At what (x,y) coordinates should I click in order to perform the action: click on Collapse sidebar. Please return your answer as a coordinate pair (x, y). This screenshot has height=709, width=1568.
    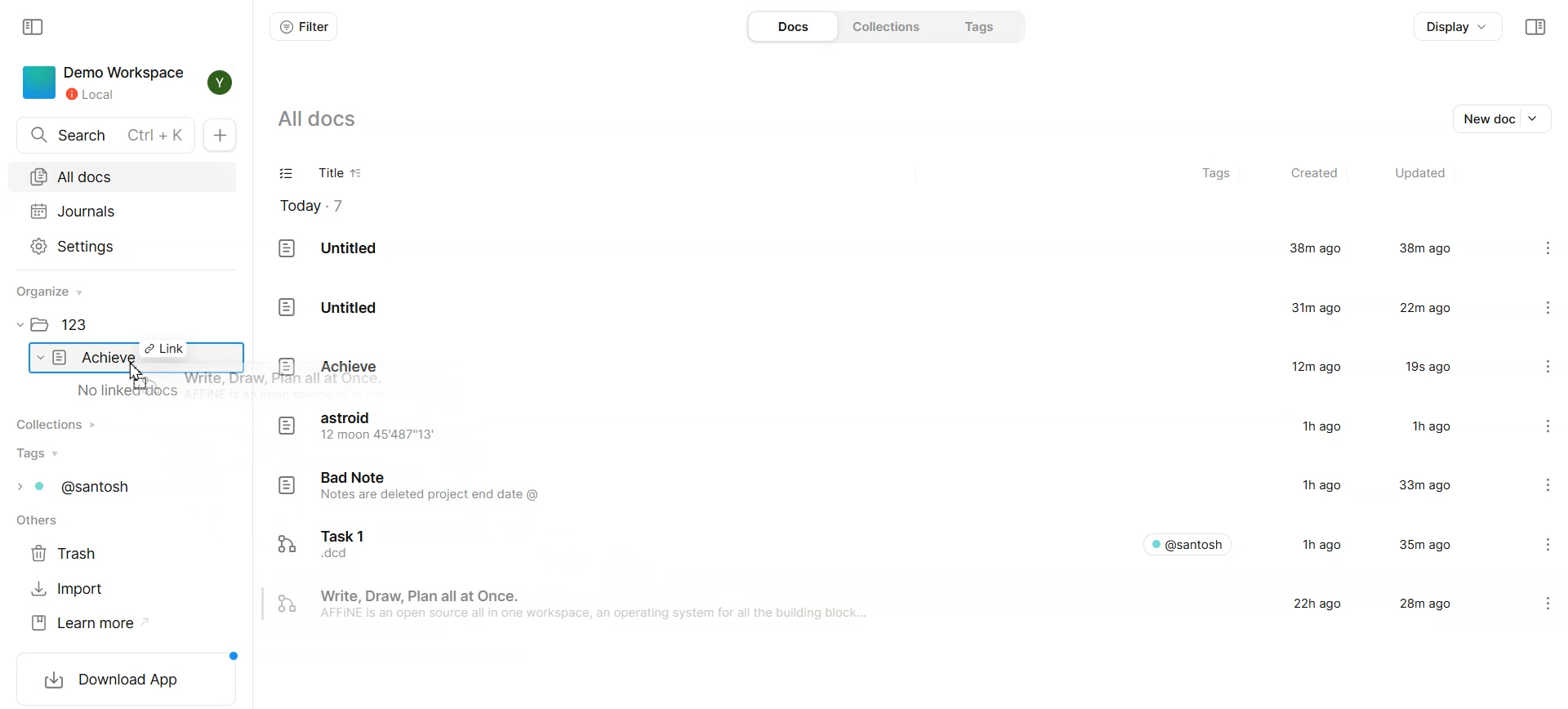
    Looking at the image, I should click on (1535, 27).